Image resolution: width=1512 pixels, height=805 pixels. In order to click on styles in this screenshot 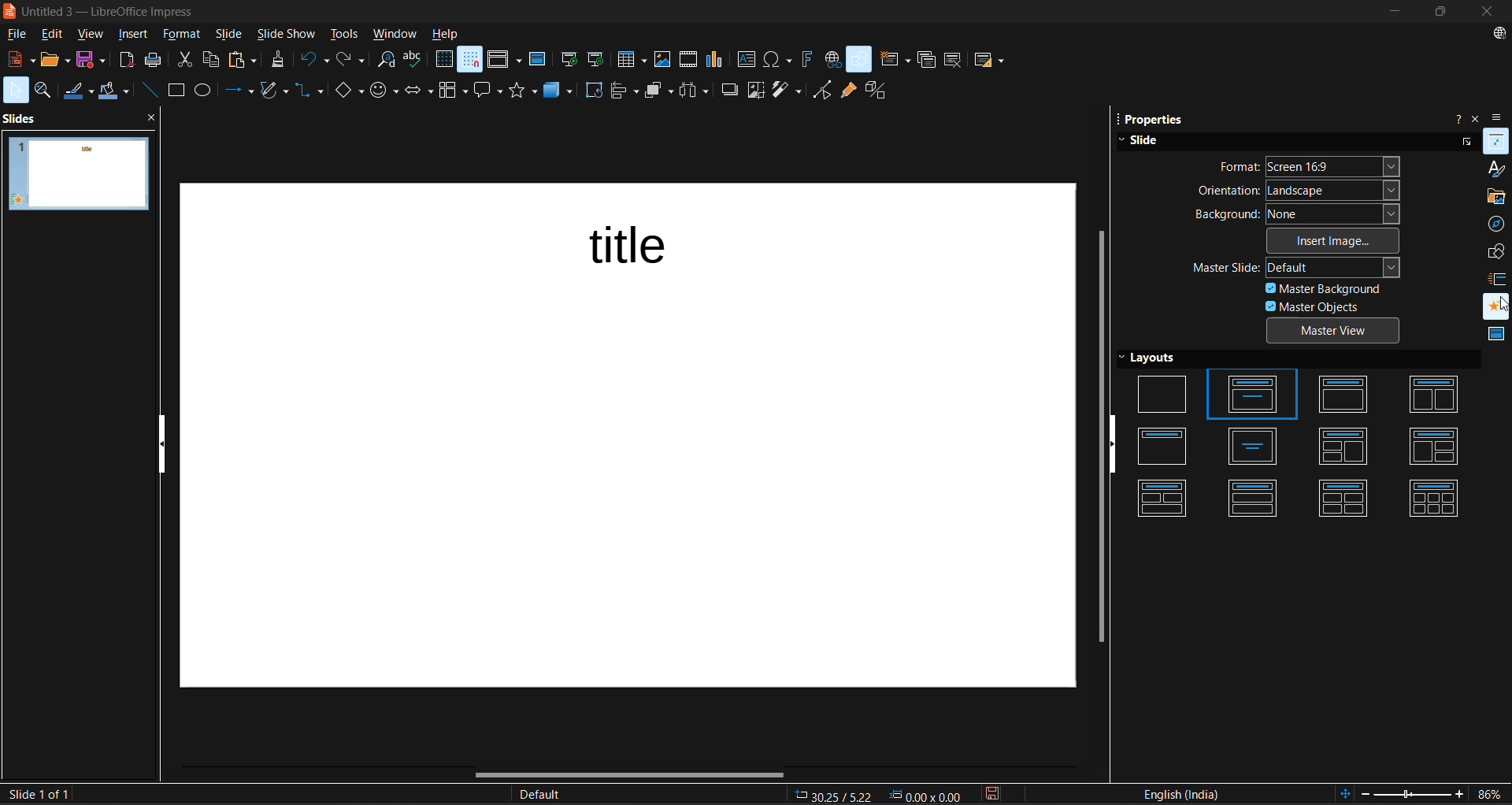, I will do `click(1497, 167)`.